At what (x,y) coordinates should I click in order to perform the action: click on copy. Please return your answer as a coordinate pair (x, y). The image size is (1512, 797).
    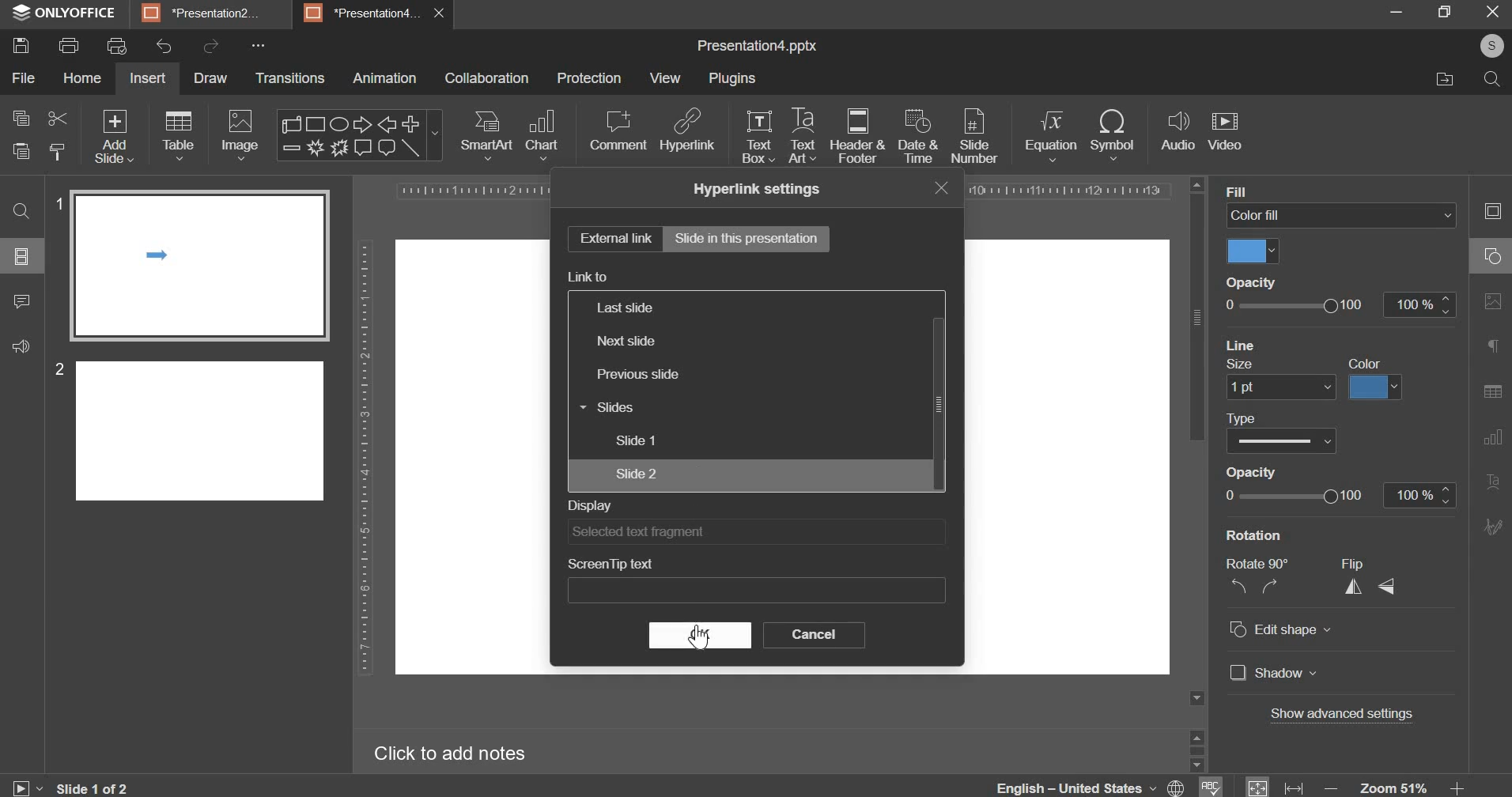
    Looking at the image, I should click on (21, 117).